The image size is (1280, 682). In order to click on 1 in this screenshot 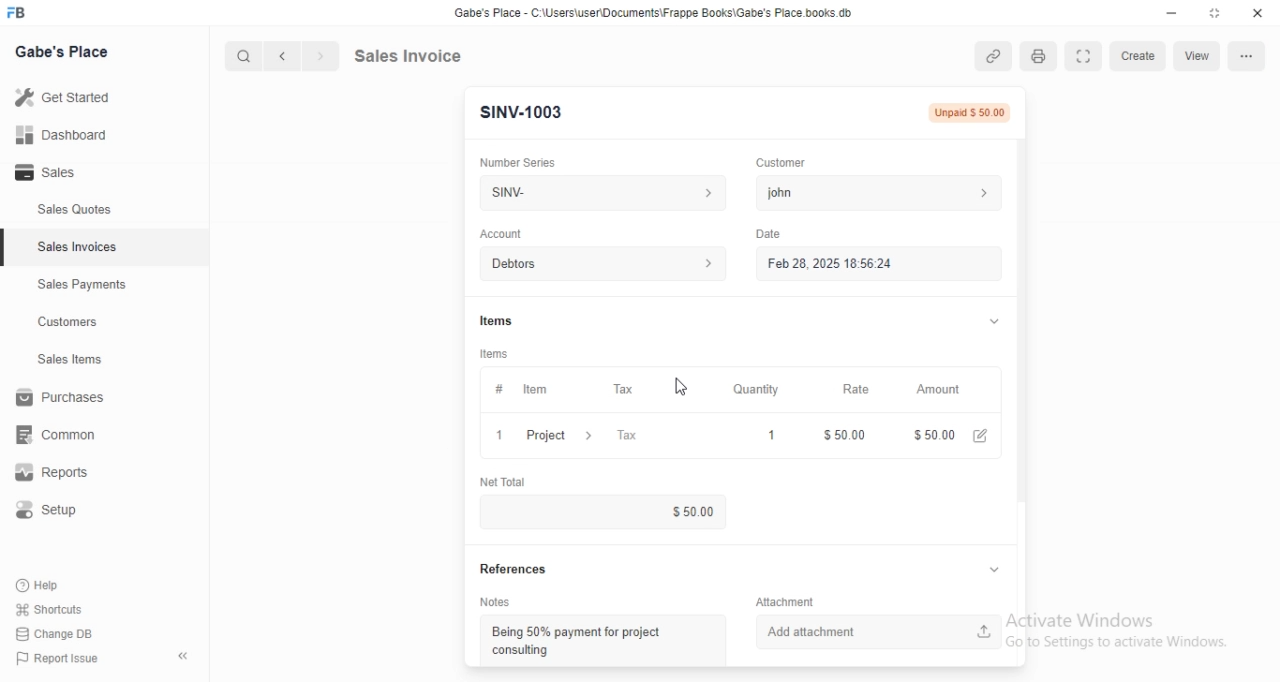, I will do `click(499, 435)`.